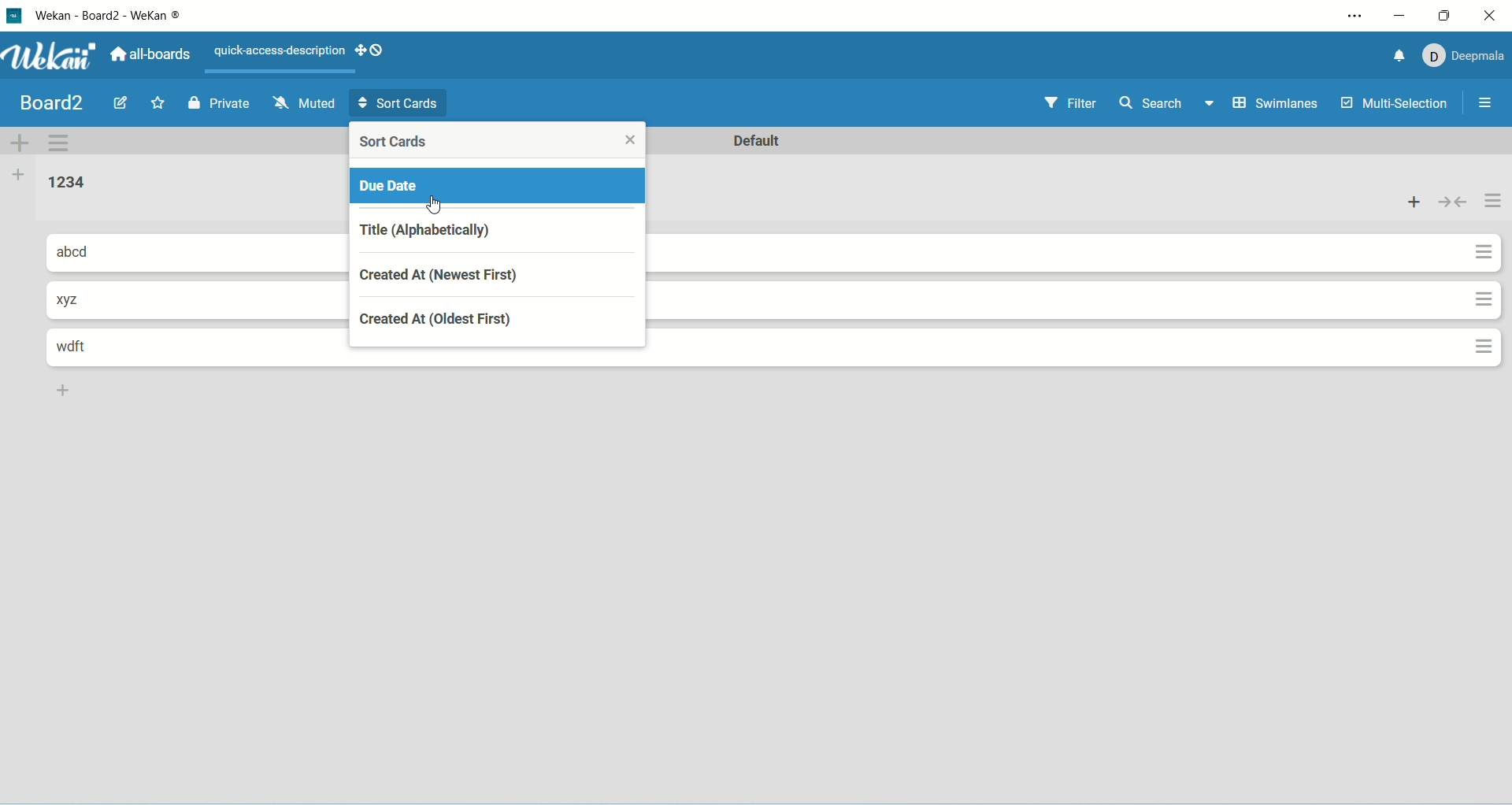 Image resolution: width=1512 pixels, height=805 pixels. I want to click on created at, so click(502, 276).